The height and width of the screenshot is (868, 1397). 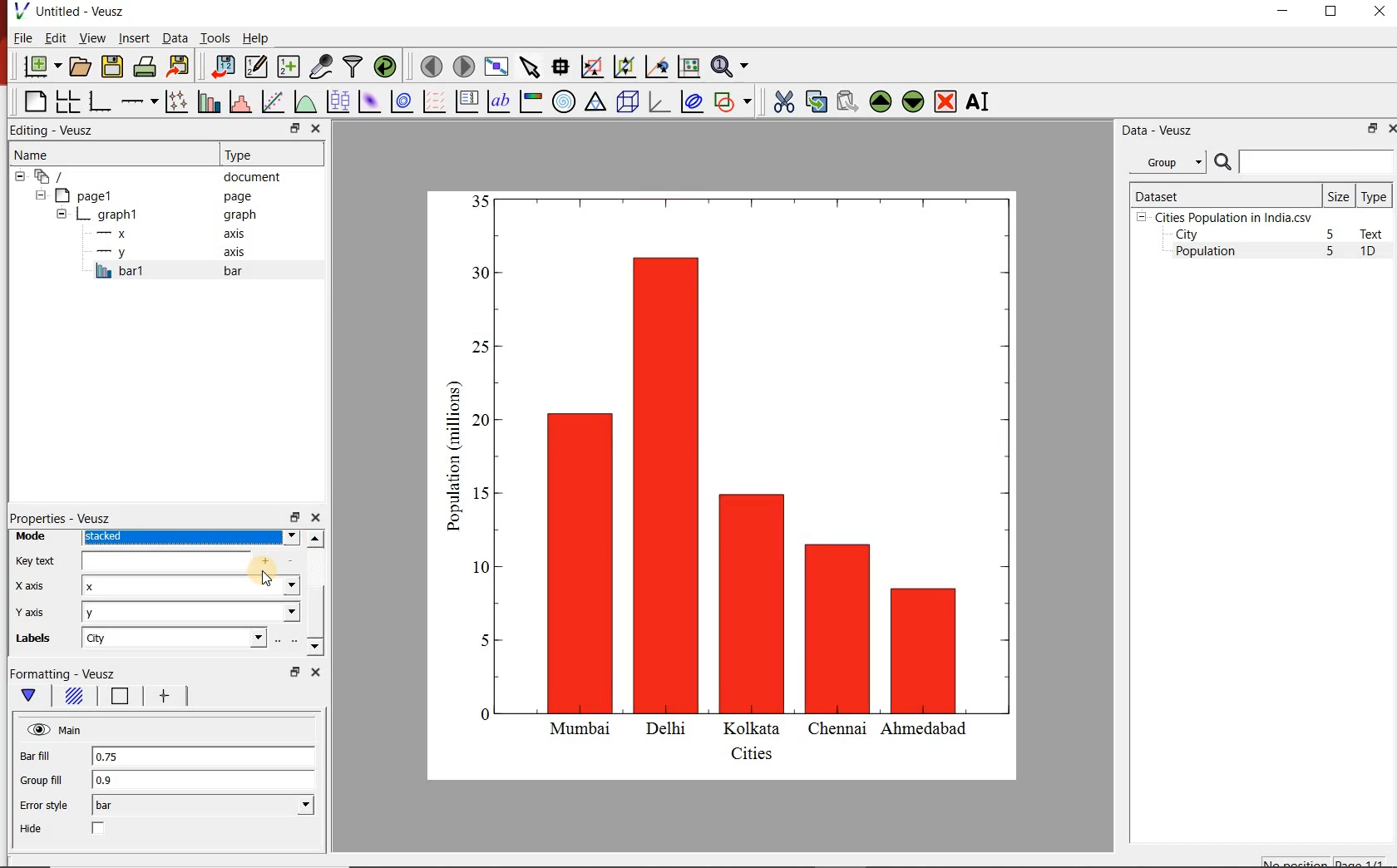 What do you see at coordinates (1206, 253) in the screenshot?
I see `Population` at bounding box center [1206, 253].